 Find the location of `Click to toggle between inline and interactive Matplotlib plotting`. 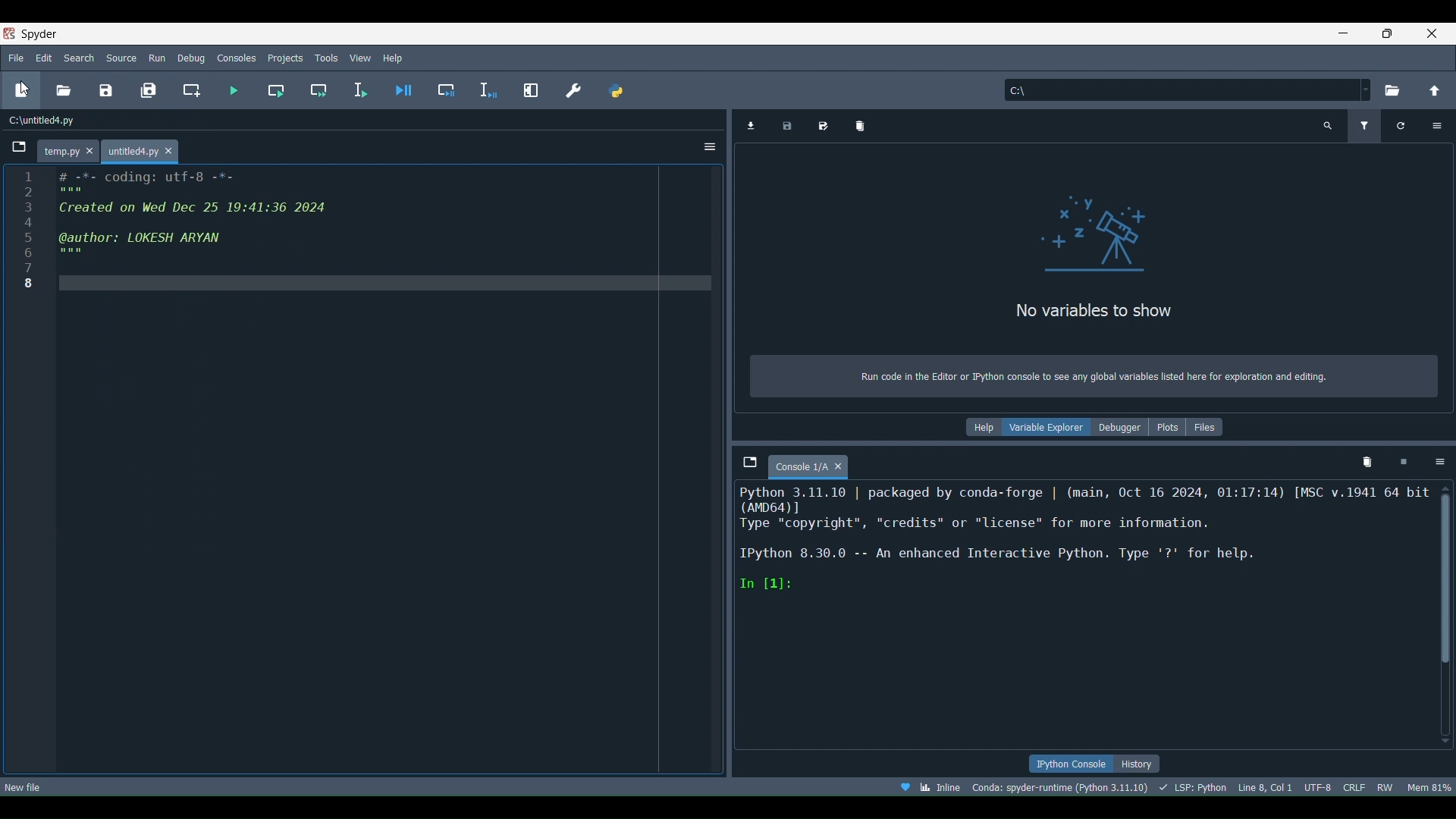

Click to toggle between inline and interactive Matplotlib plotting is located at coordinates (943, 784).